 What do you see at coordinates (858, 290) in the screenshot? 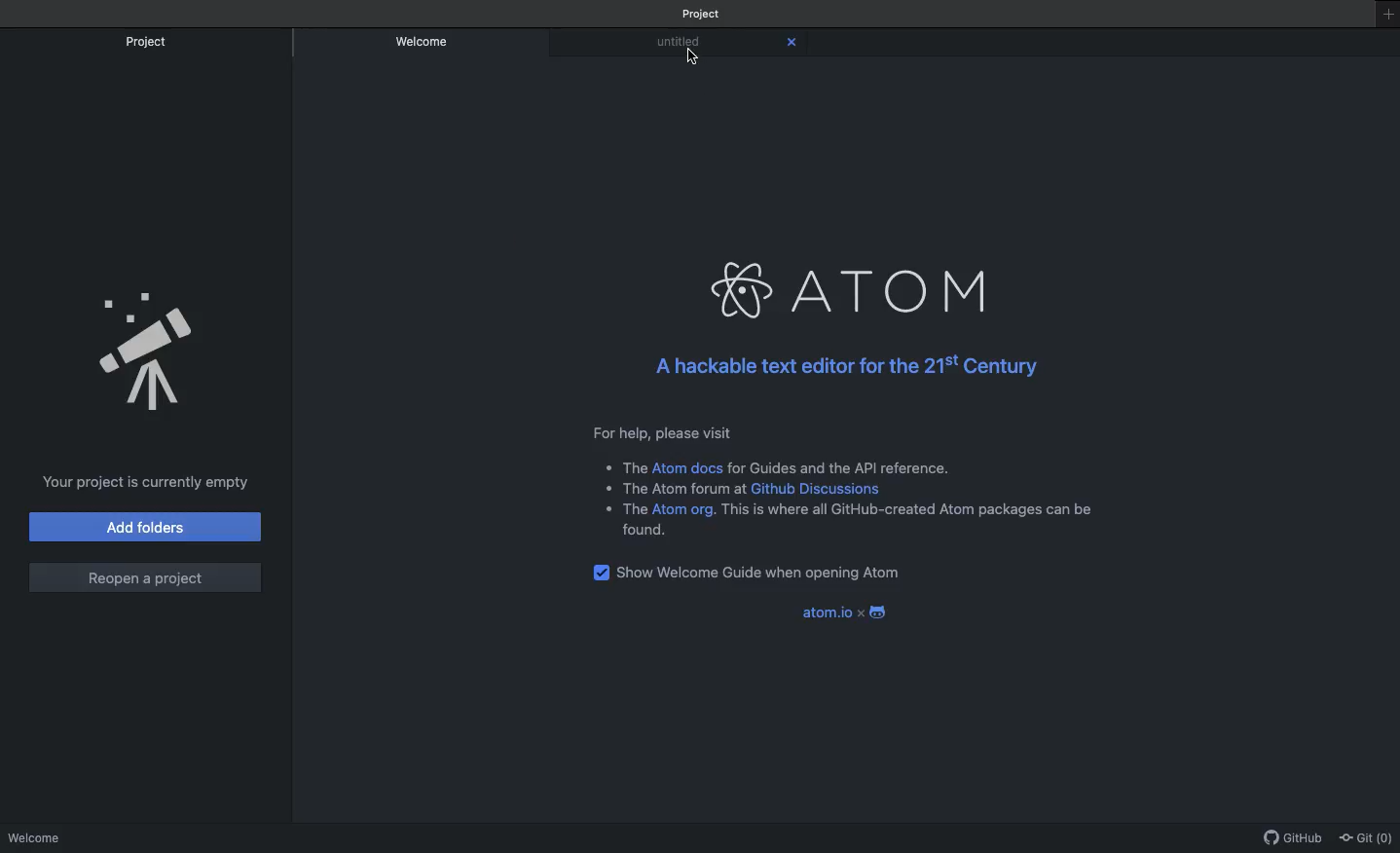
I see `Atom` at bounding box center [858, 290].